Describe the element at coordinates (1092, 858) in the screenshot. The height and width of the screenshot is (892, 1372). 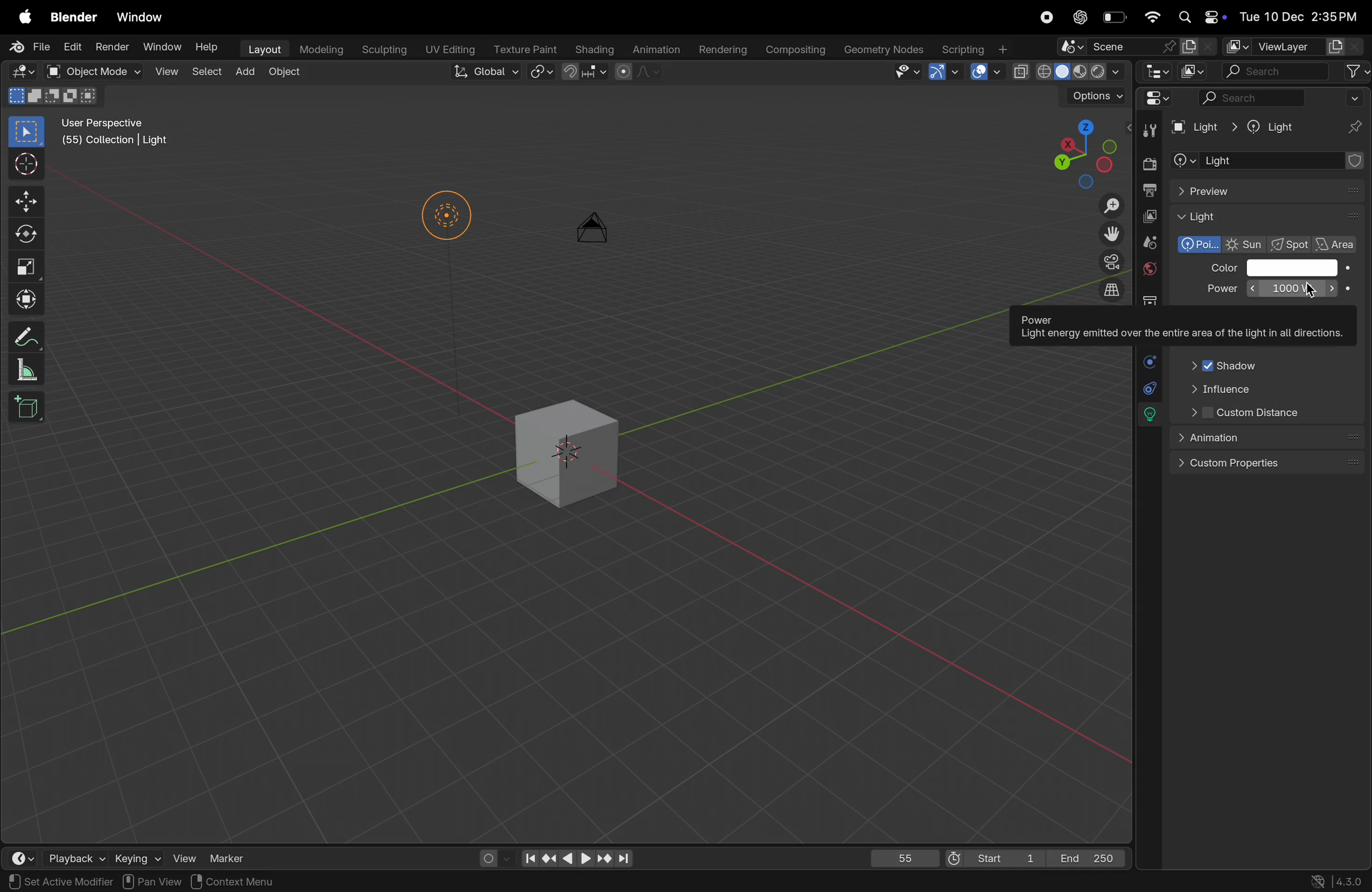
I see `End` at that location.